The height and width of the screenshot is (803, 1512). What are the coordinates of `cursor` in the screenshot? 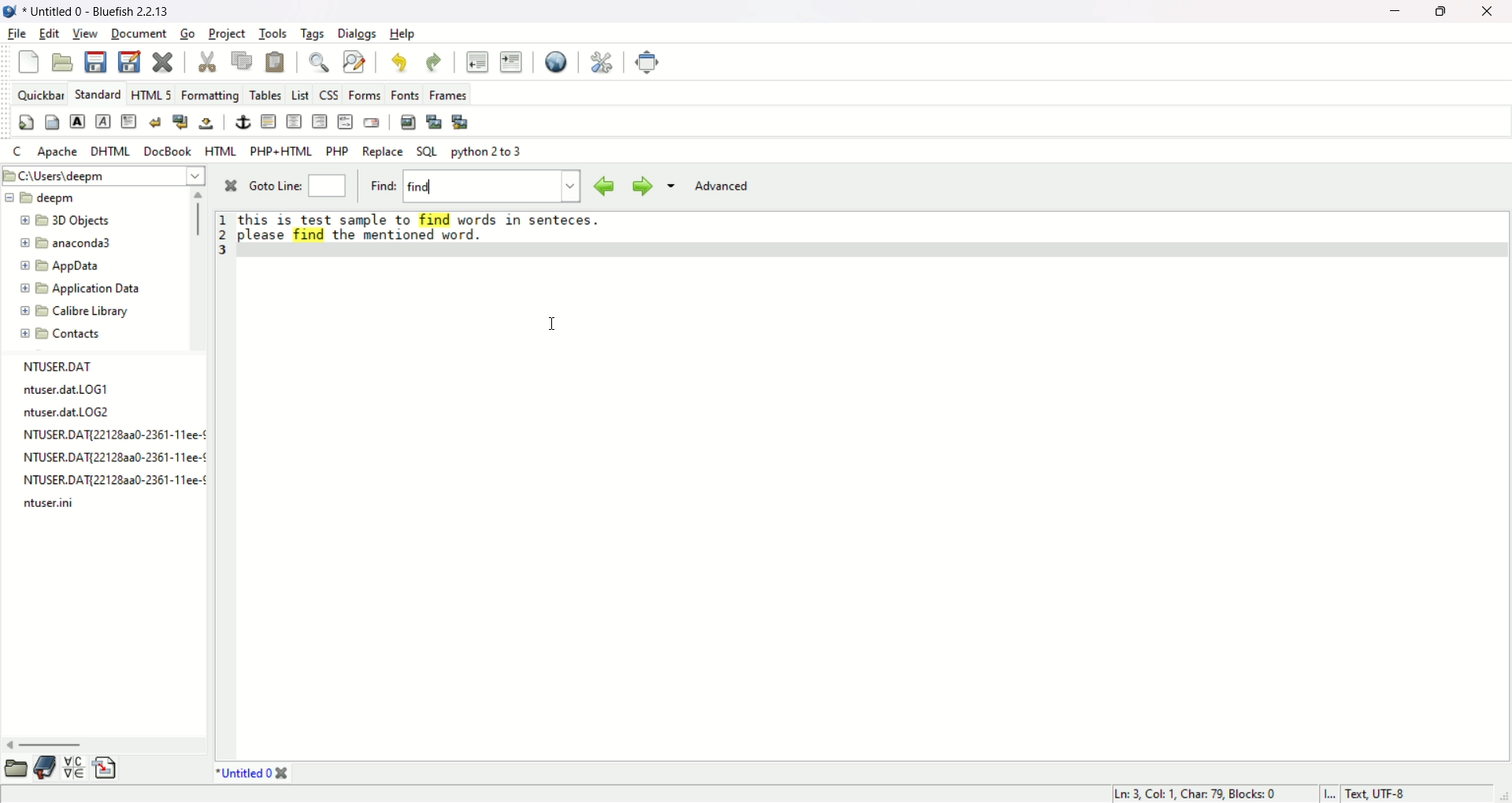 It's located at (554, 321).